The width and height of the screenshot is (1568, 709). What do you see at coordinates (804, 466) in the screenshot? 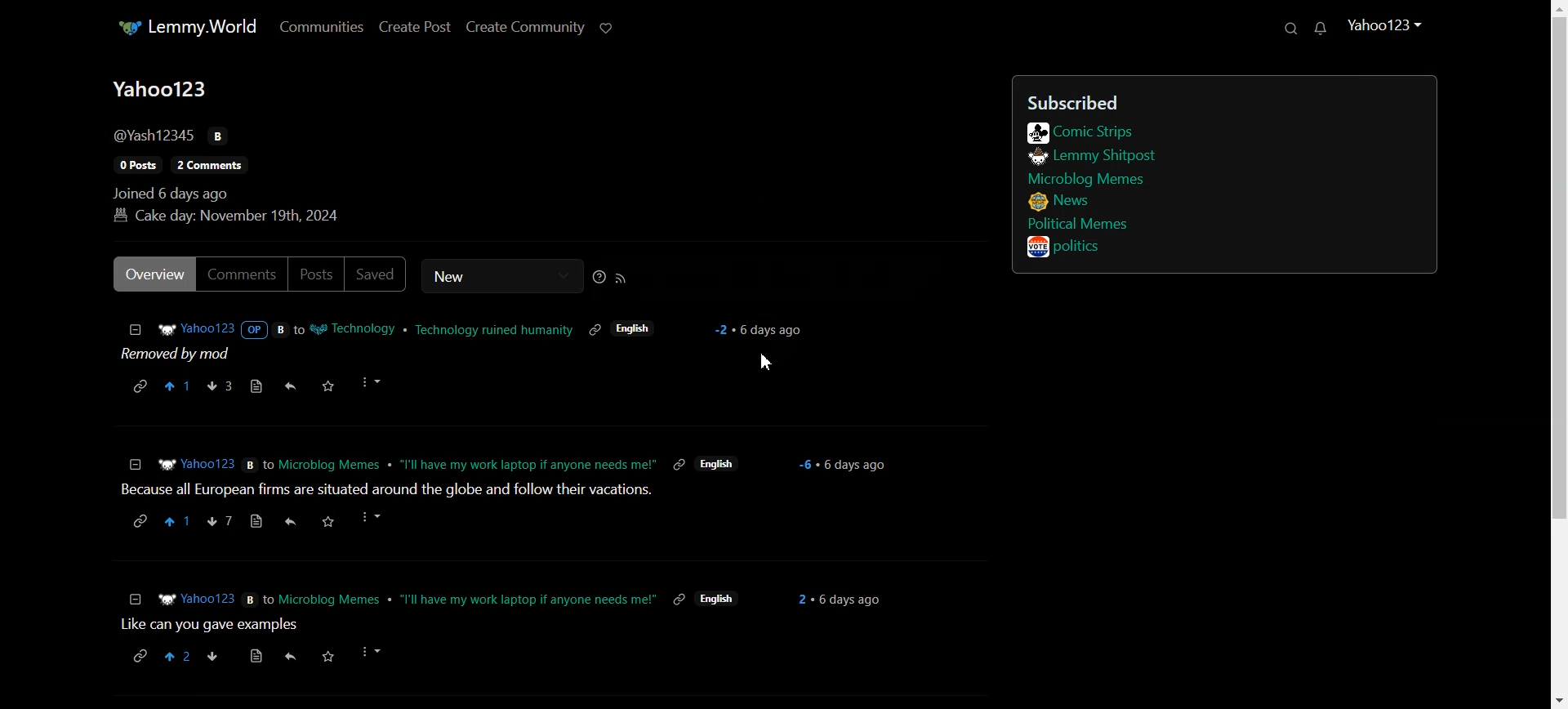
I see `` at bounding box center [804, 466].